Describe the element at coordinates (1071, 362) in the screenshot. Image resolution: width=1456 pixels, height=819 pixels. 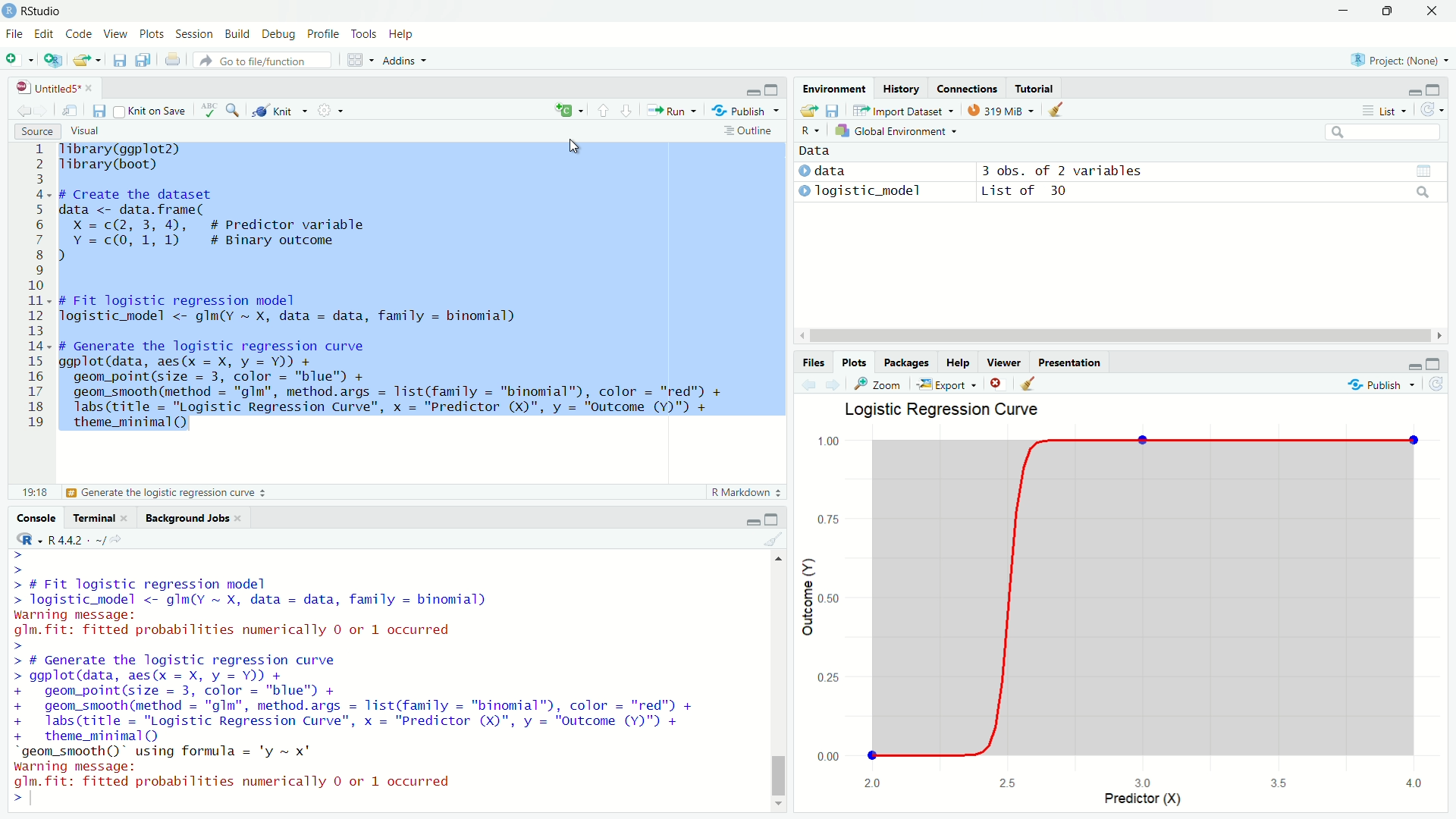
I see `Presentation` at that location.